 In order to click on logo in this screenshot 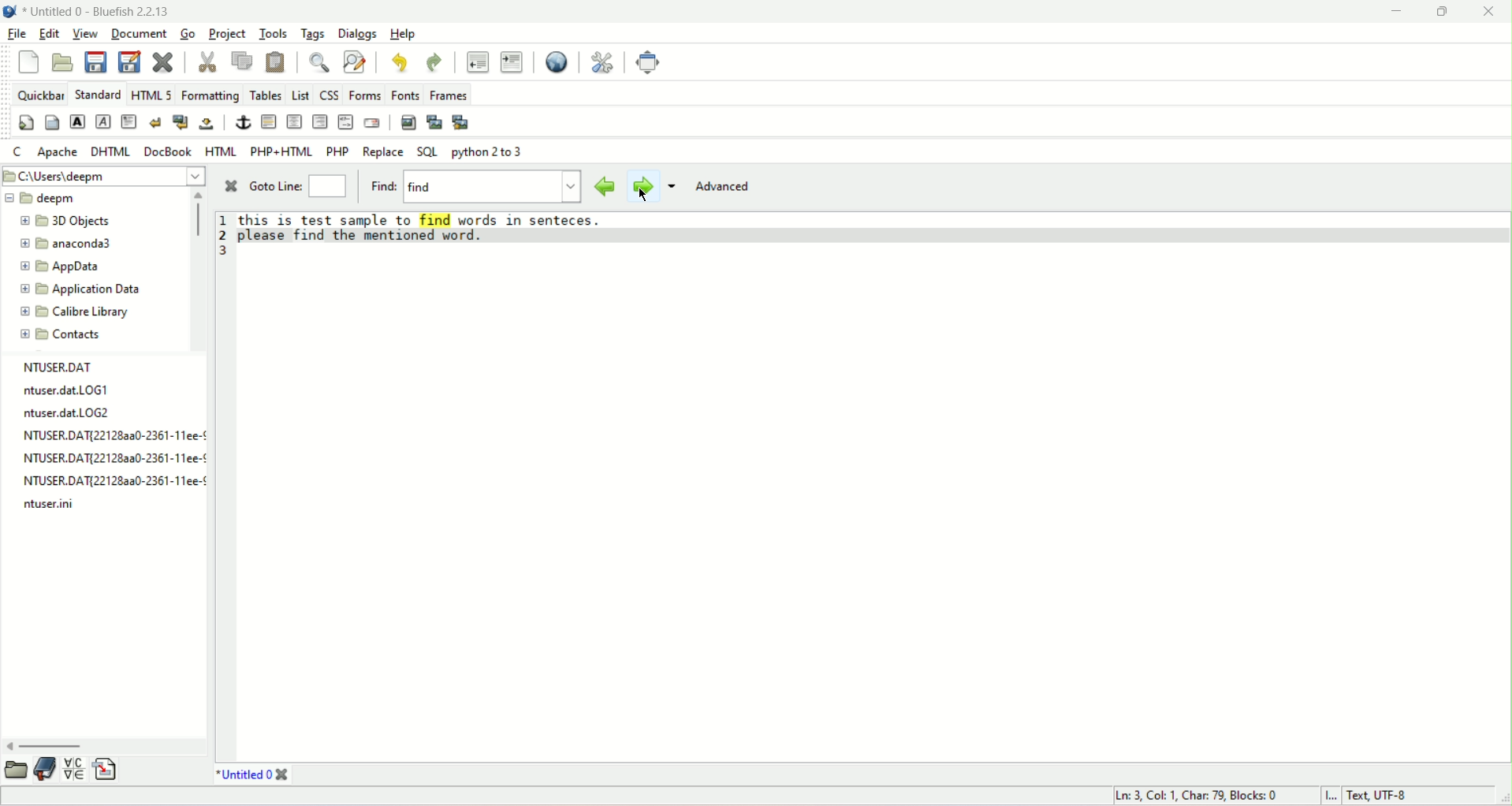, I will do `click(9, 11)`.